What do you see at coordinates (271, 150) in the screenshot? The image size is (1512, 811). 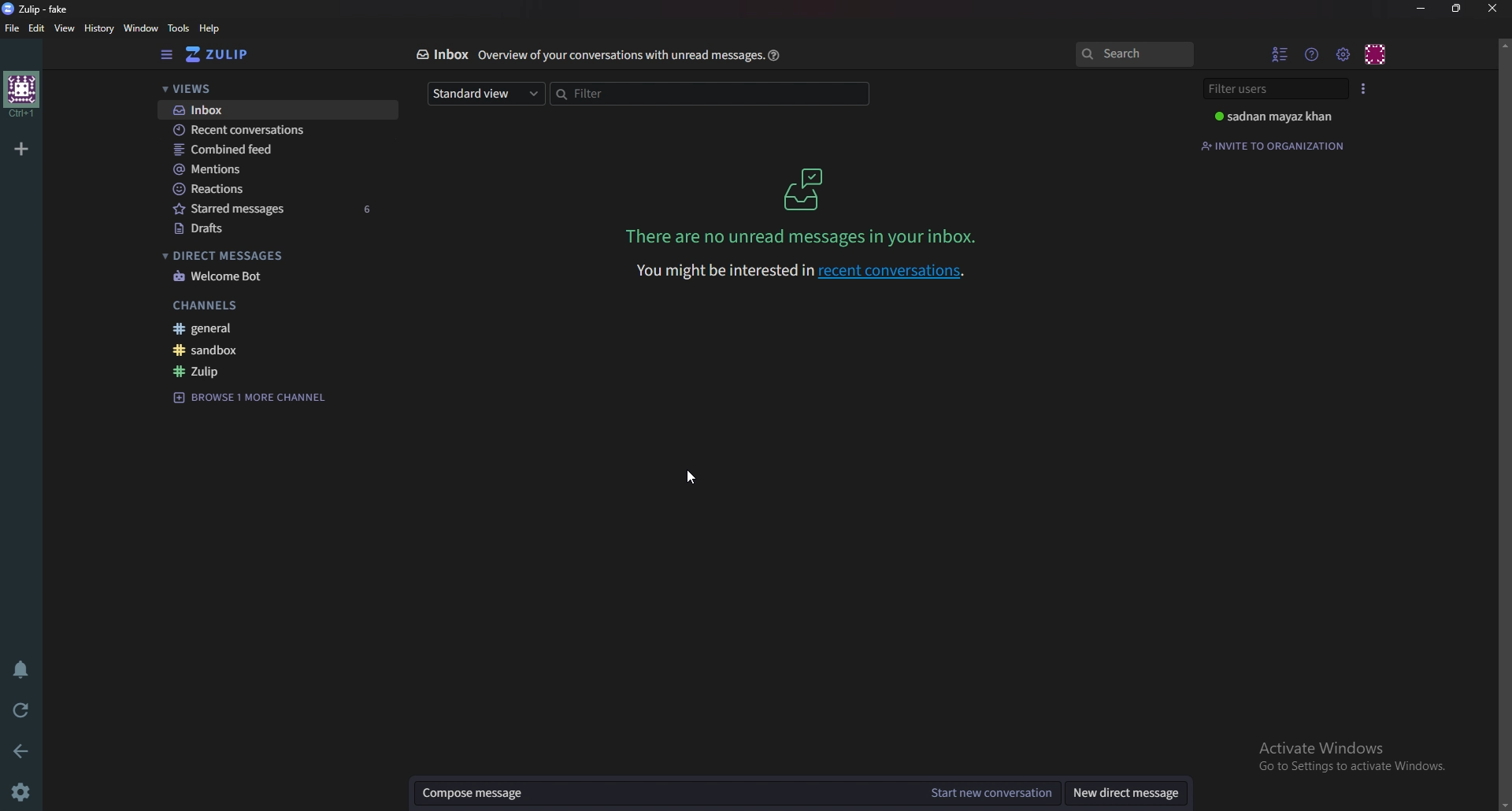 I see `Combined feed` at bounding box center [271, 150].